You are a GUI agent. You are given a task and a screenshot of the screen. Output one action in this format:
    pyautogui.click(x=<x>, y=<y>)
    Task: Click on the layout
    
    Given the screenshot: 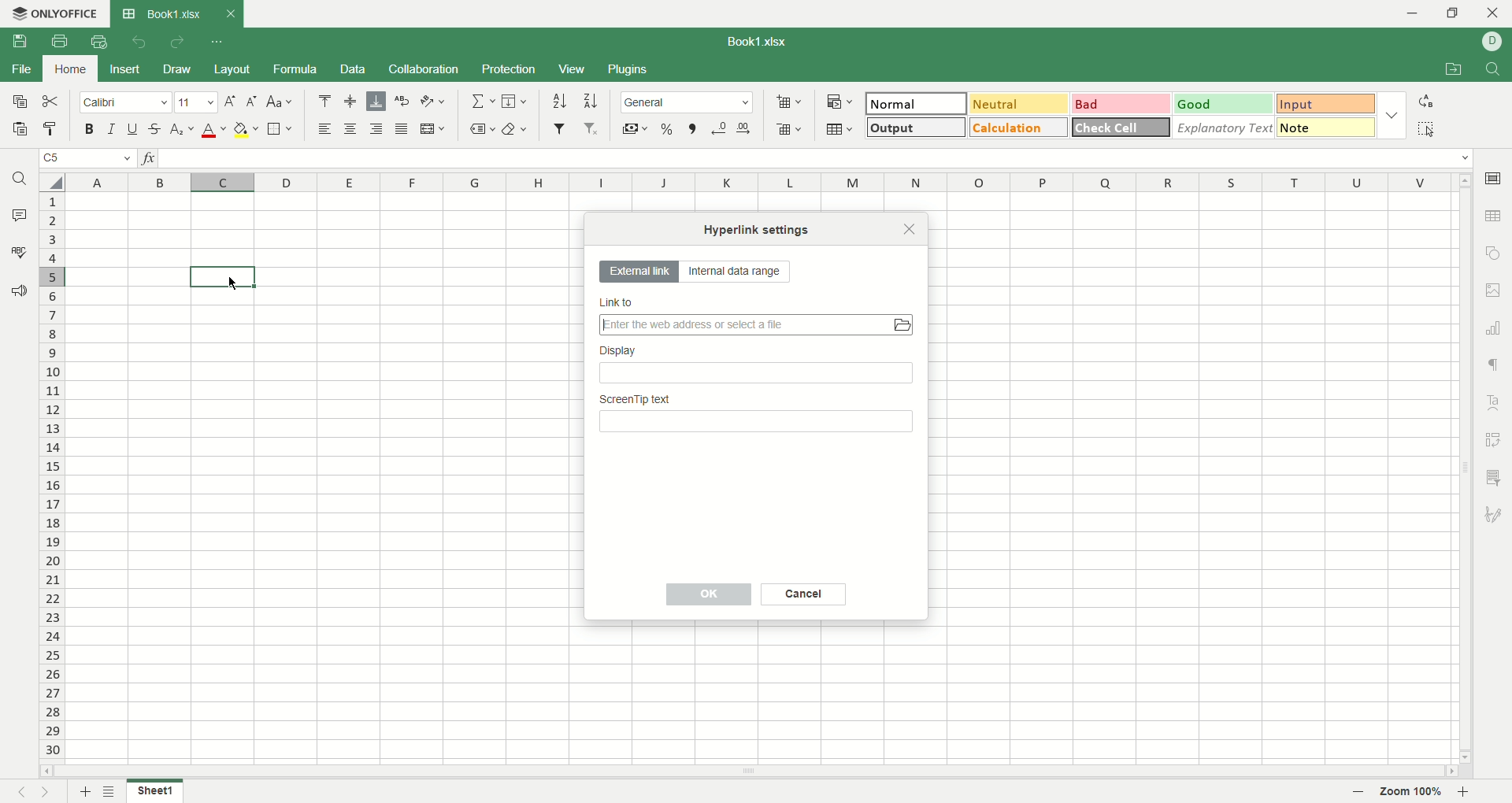 What is the action you would take?
    pyautogui.click(x=233, y=68)
    